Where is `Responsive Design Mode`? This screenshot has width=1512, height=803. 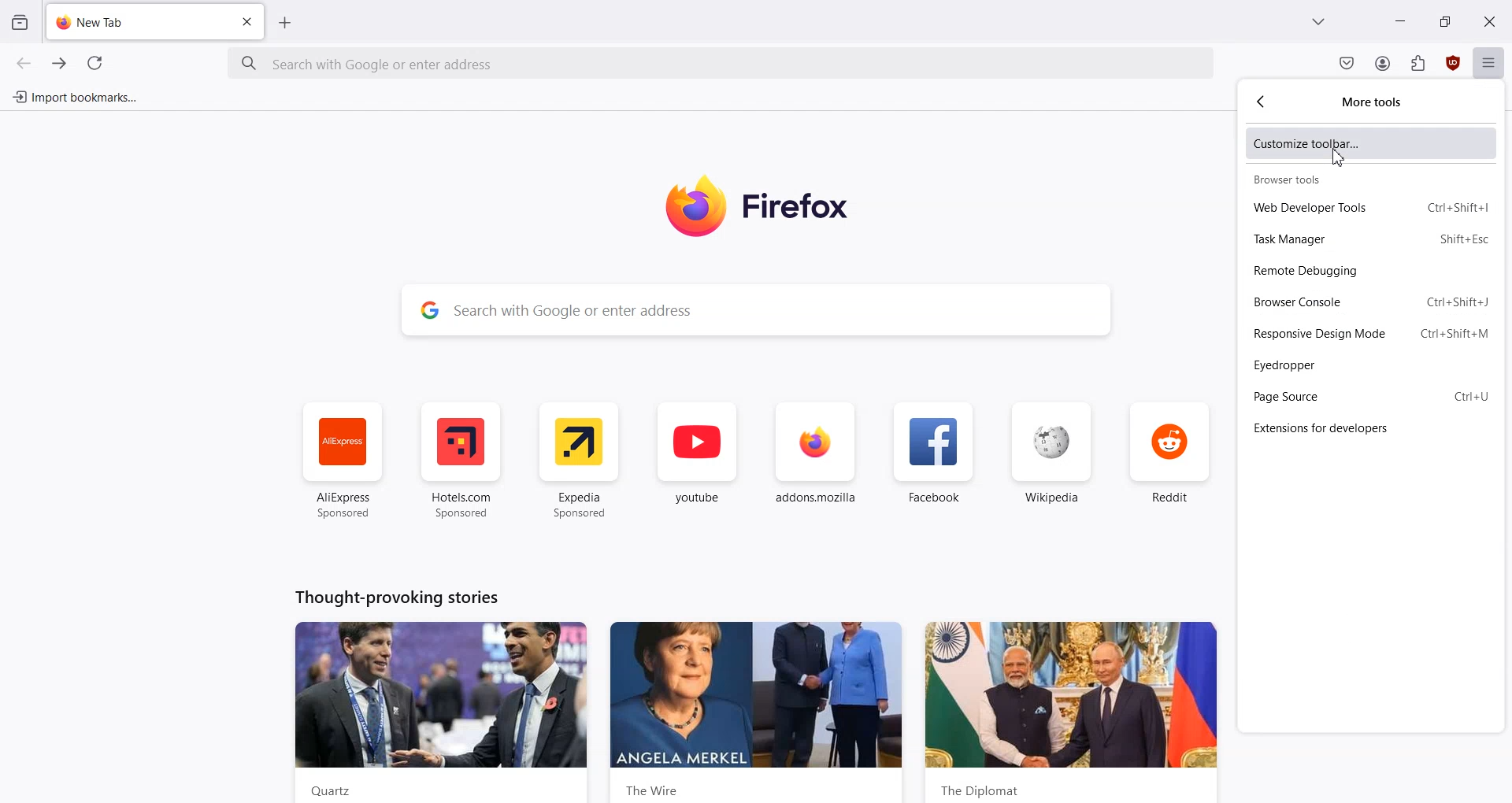 Responsive Design Mode is located at coordinates (1331, 335).